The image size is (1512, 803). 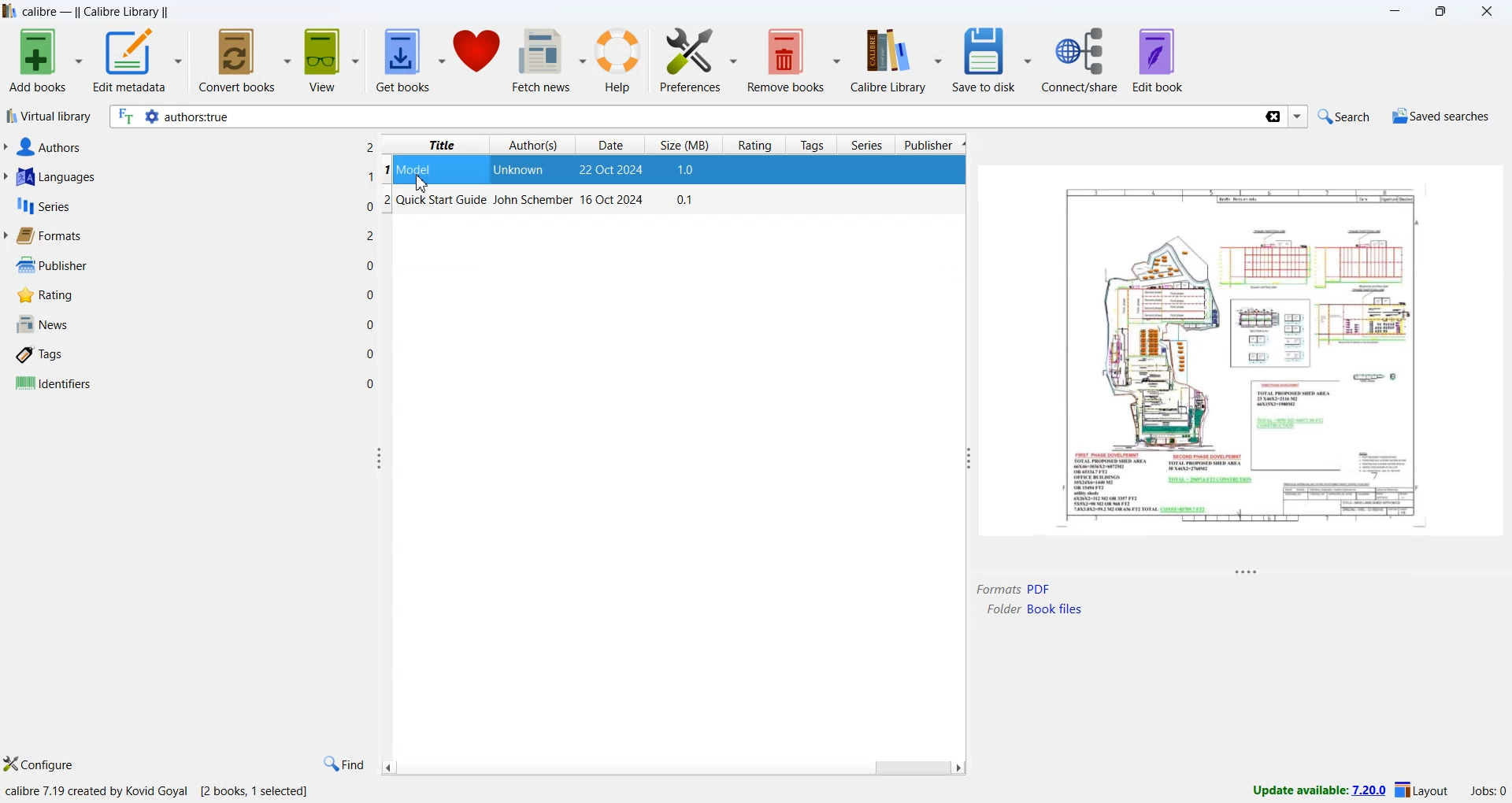 I want to click on save to disk, so click(x=991, y=61).